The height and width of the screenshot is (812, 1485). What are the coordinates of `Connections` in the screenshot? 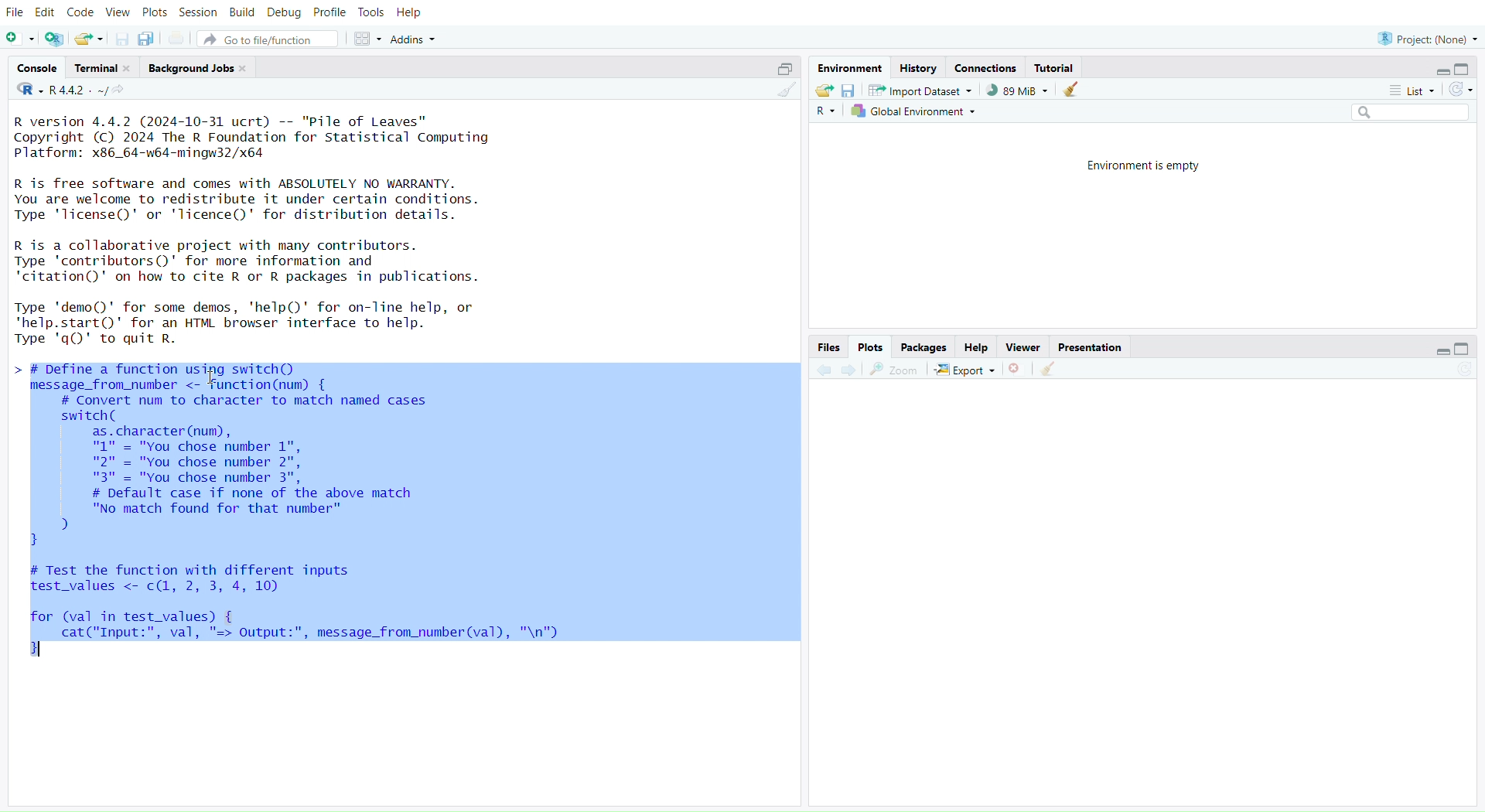 It's located at (985, 67).